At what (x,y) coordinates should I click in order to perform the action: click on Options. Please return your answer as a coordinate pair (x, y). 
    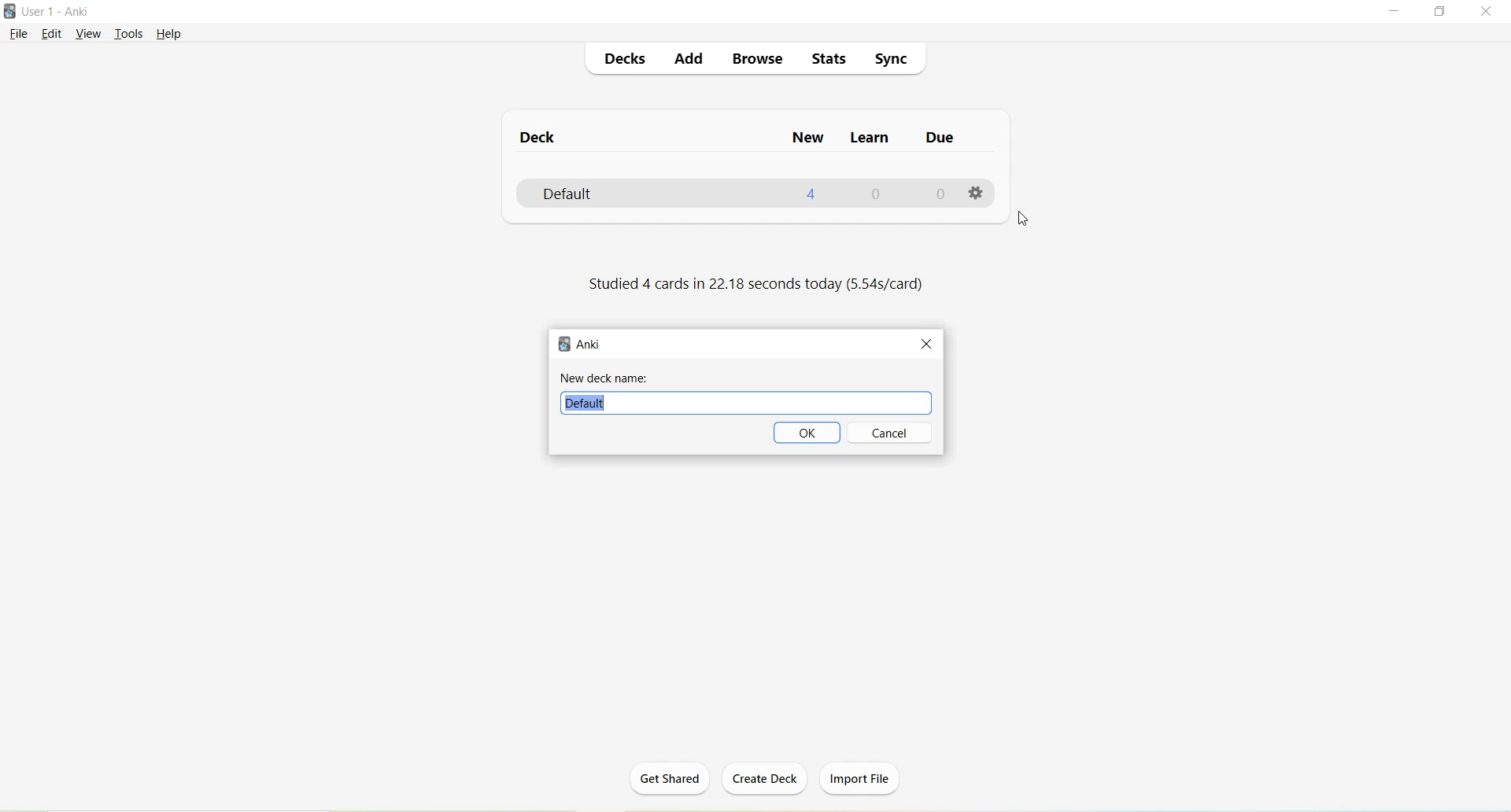
    Looking at the image, I should click on (975, 190).